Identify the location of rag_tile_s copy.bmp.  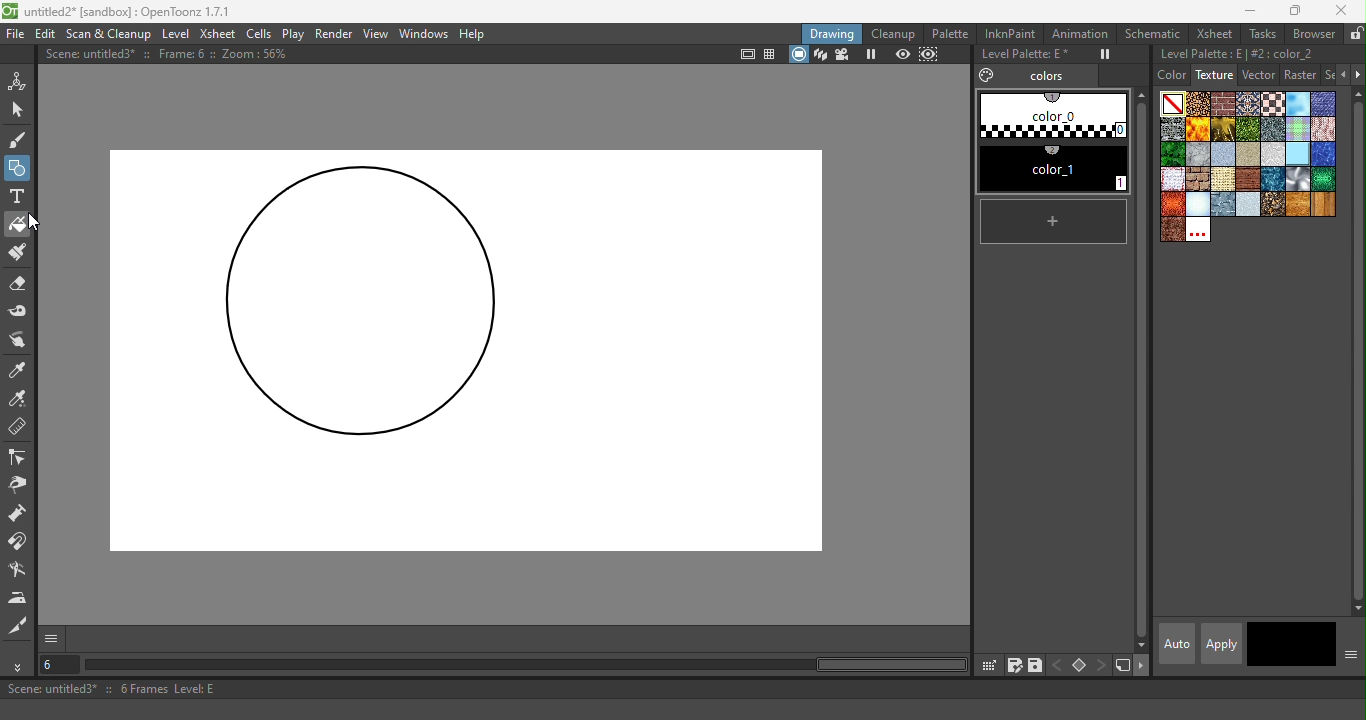
(1172, 180).